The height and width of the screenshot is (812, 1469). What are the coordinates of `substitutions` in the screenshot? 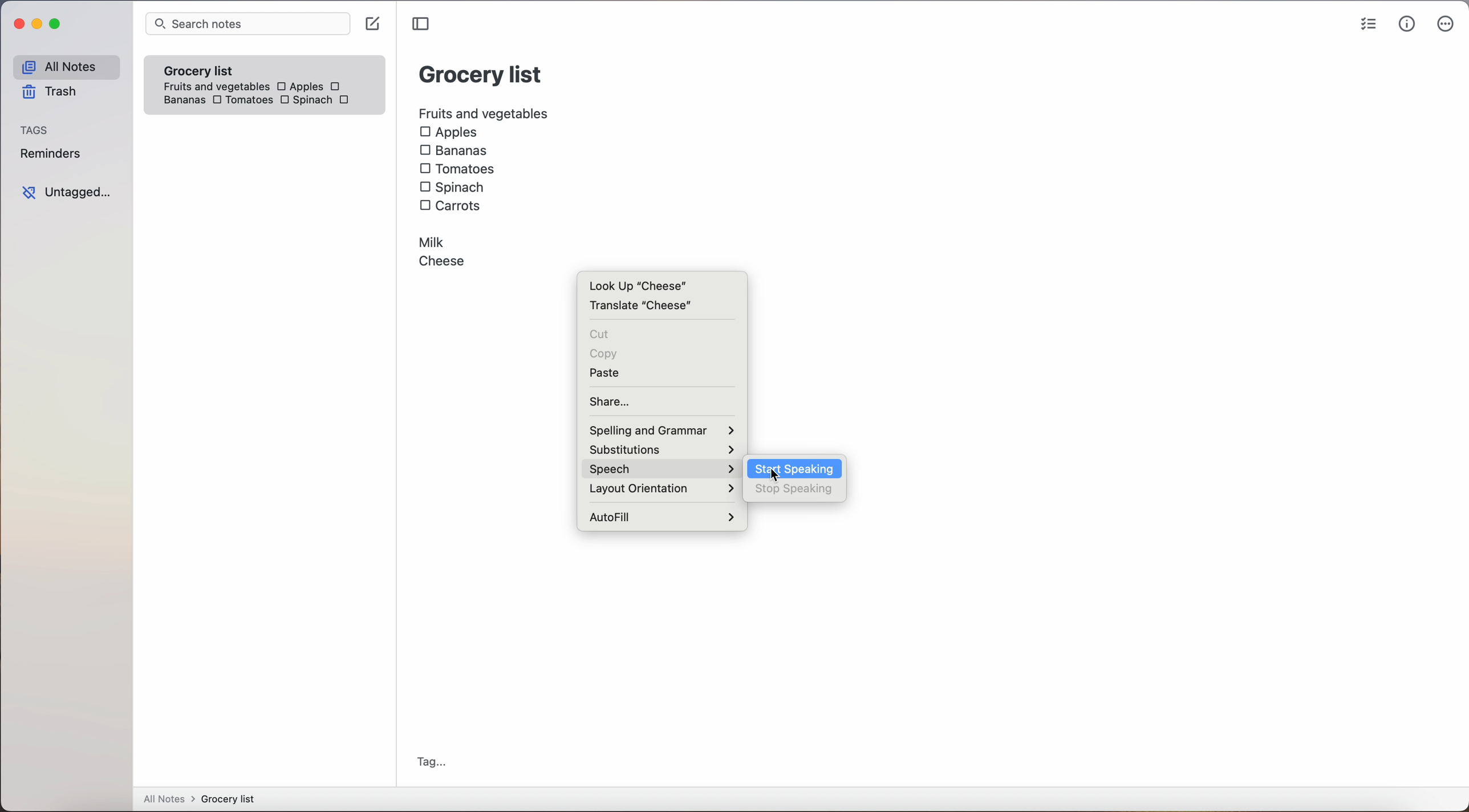 It's located at (661, 449).